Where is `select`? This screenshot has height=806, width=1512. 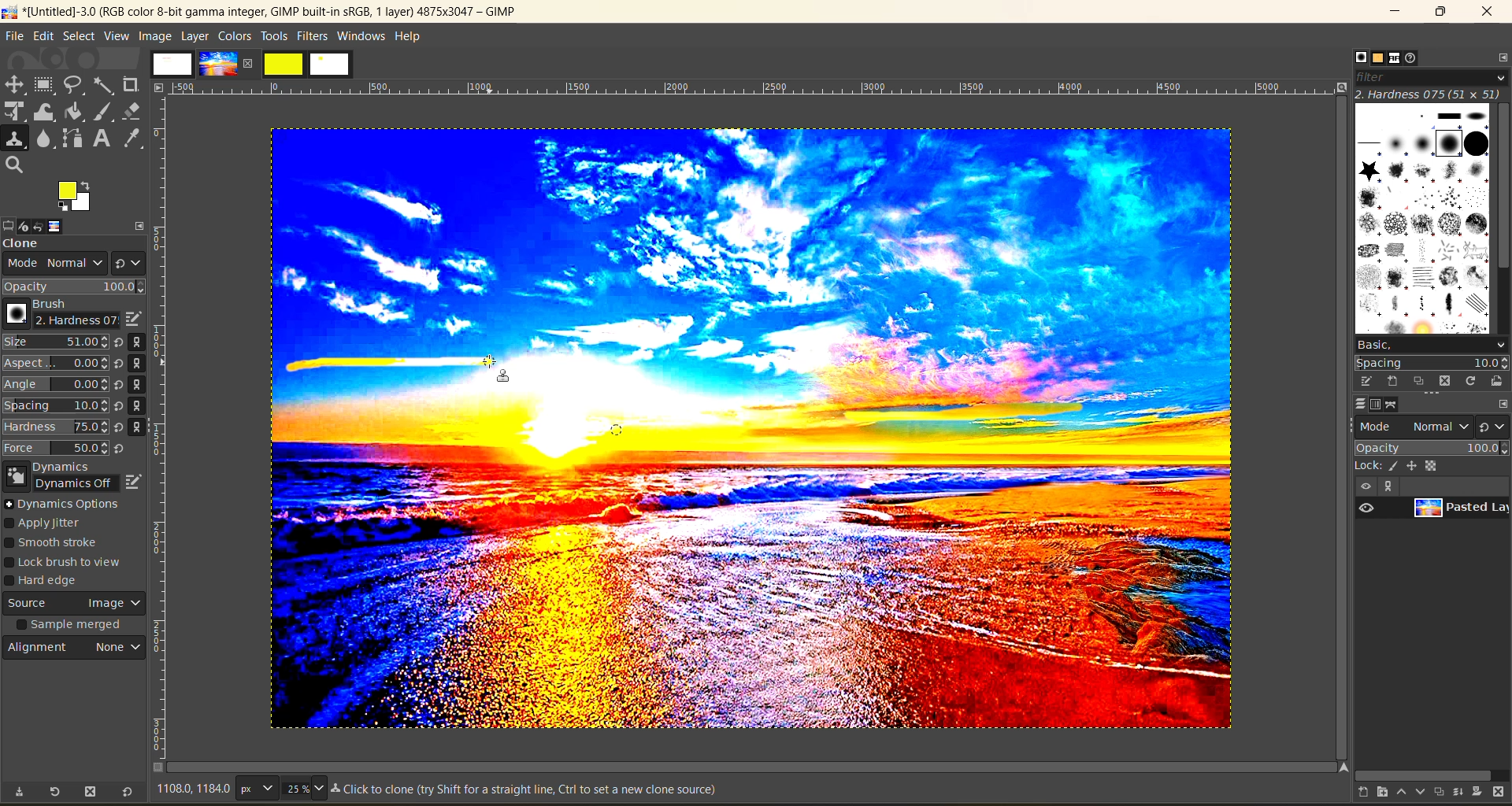 select is located at coordinates (79, 35).